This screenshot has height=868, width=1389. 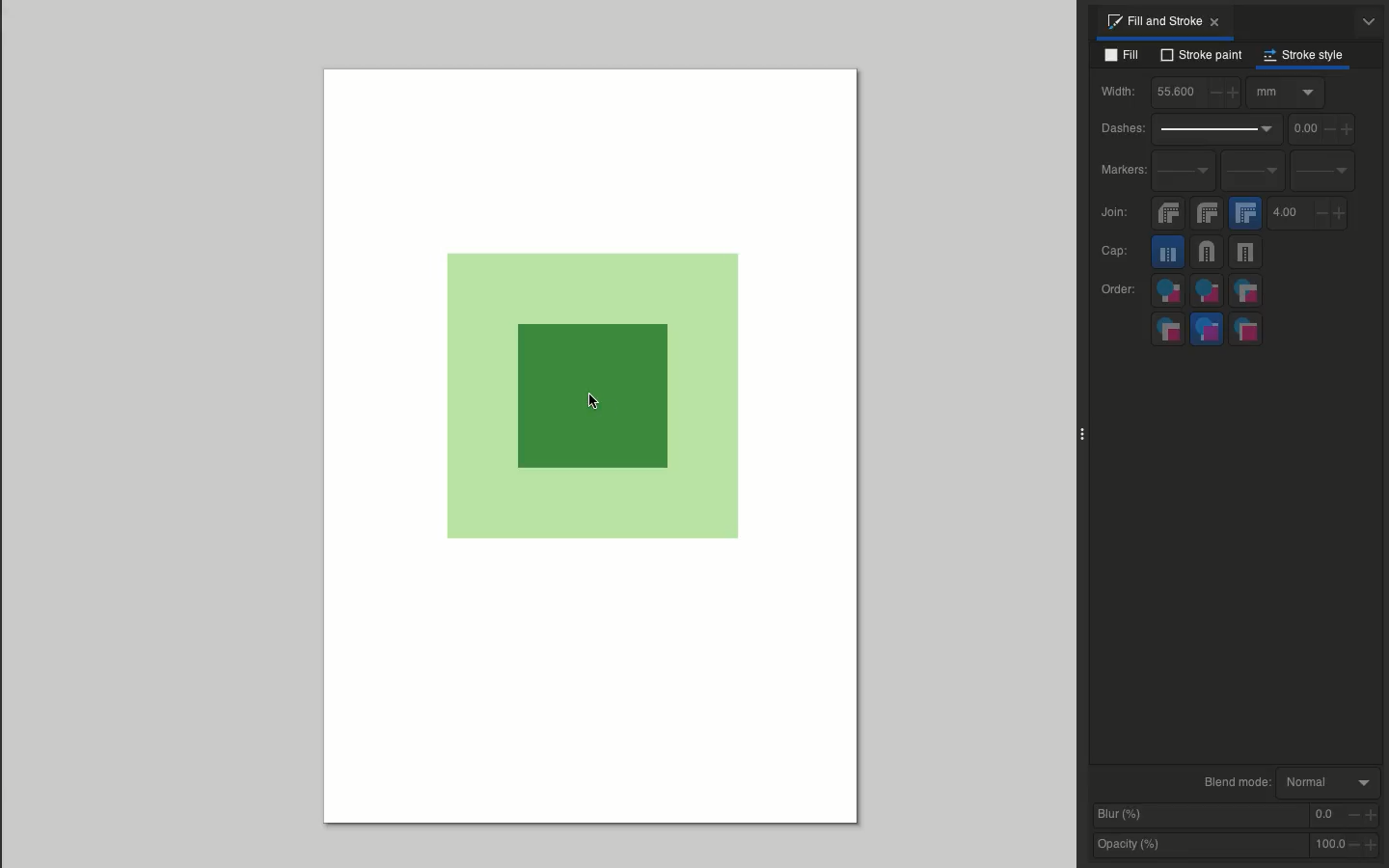 I want to click on 0.0, so click(x=1344, y=818).